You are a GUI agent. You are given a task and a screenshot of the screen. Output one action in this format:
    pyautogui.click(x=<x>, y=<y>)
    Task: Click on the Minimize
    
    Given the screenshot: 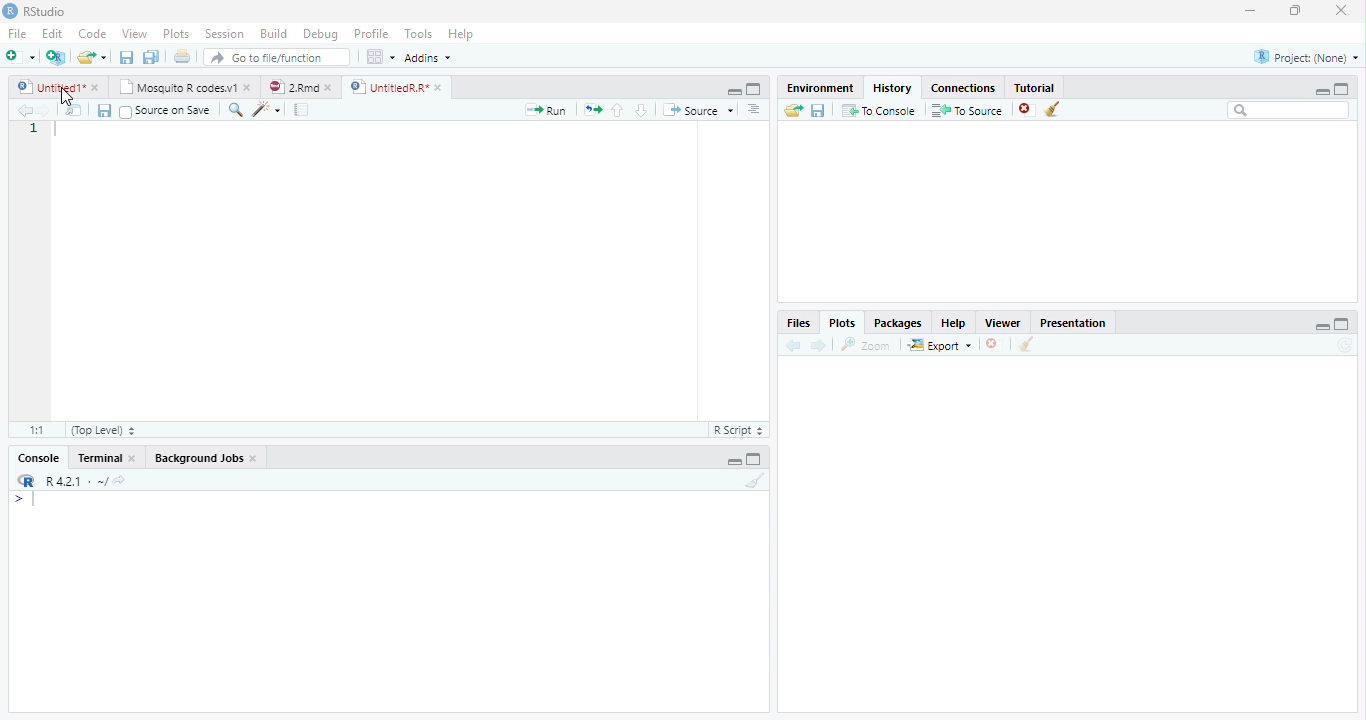 What is the action you would take?
    pyautogui.click(x=734, y=92)
    